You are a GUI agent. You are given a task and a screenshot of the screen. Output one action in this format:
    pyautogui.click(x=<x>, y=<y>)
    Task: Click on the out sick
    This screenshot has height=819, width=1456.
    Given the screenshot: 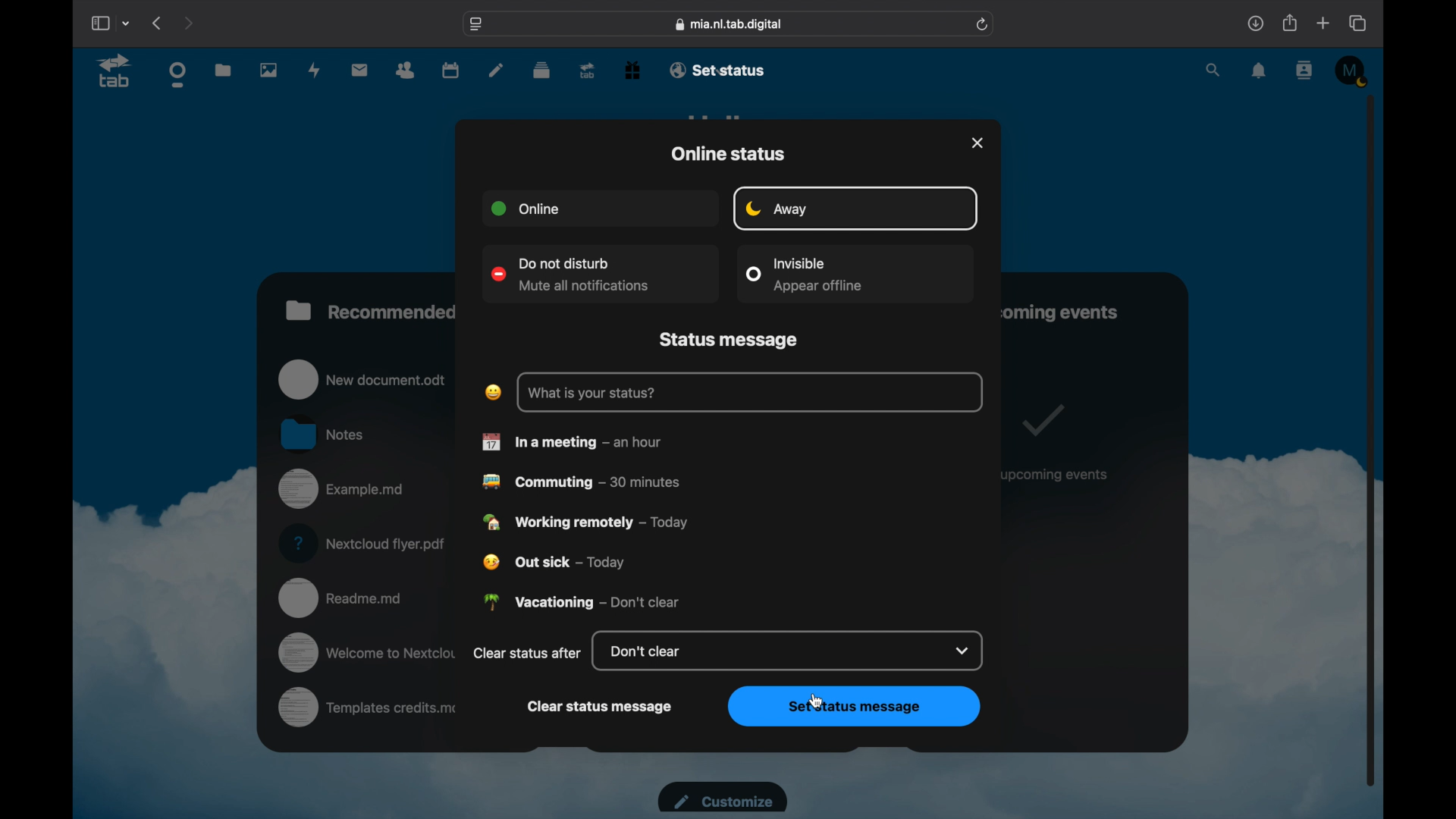 What is the action you would take?
    pyautogui.click(x=554, y=563)
    